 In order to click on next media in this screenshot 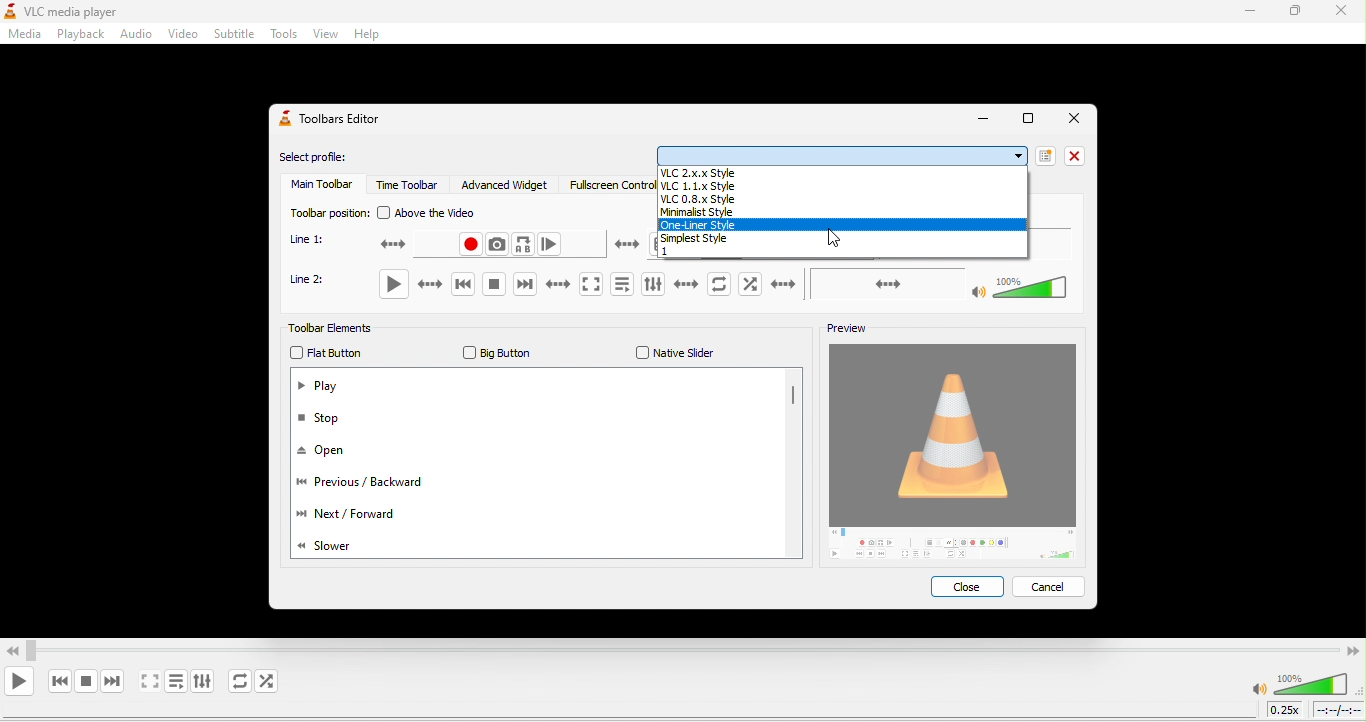, I will do `click(111, 681)`.